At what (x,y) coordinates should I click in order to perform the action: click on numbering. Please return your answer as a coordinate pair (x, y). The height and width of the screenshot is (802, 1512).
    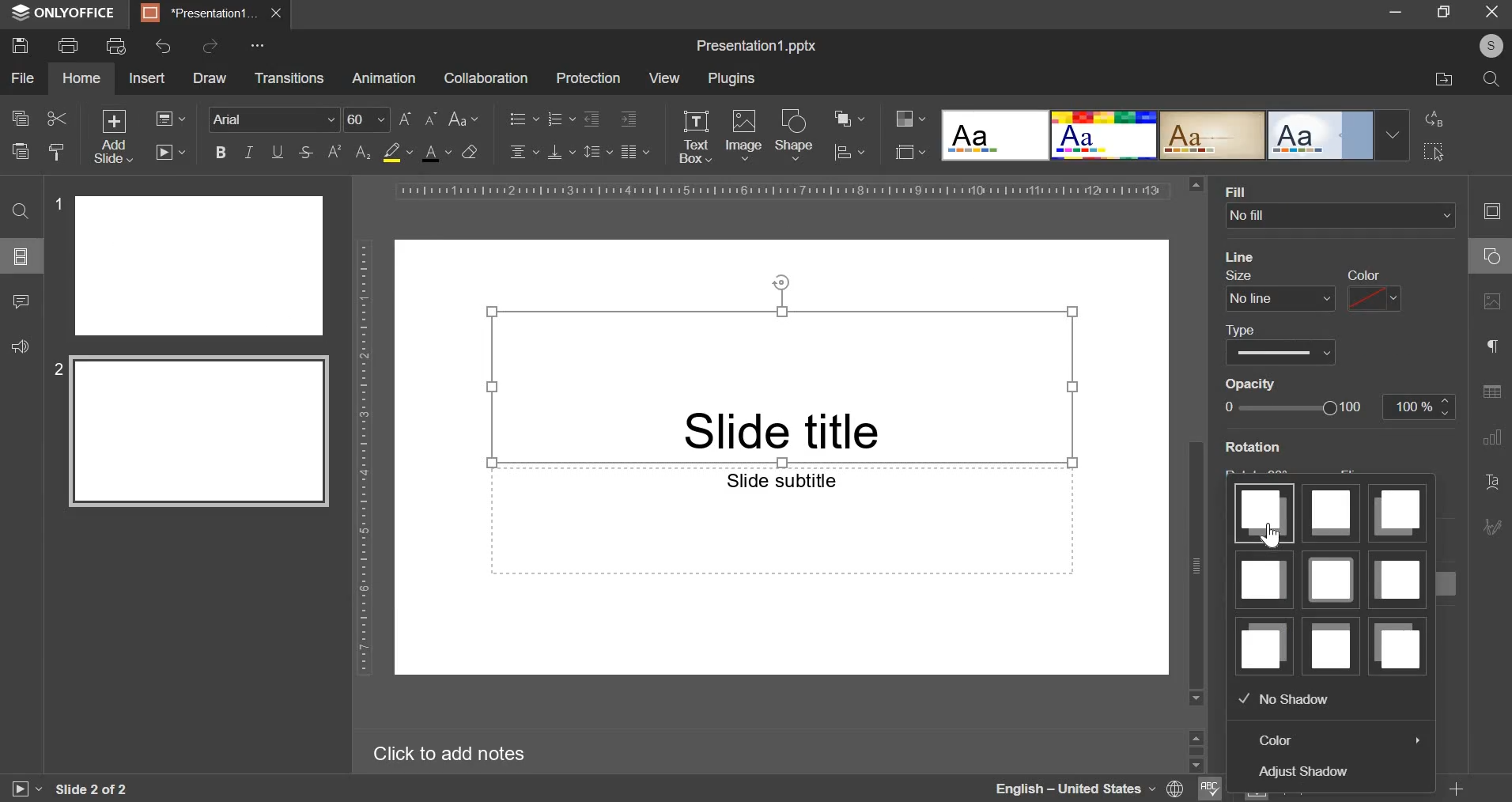
    Looking at the image, I should click on (560, 118).